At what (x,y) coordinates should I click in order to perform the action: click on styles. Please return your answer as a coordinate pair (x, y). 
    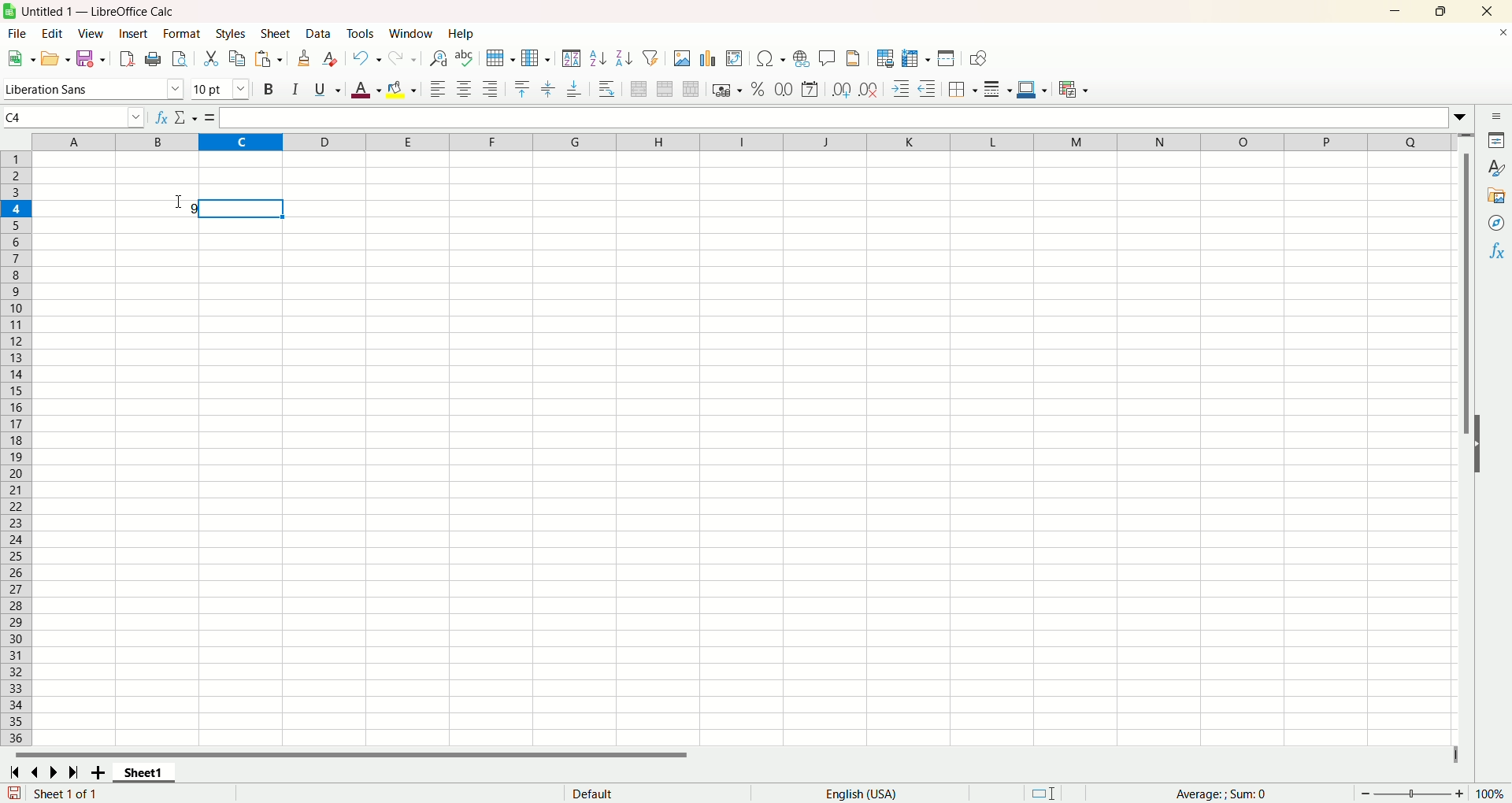
    Looking at the image, I should click on (233, 33).